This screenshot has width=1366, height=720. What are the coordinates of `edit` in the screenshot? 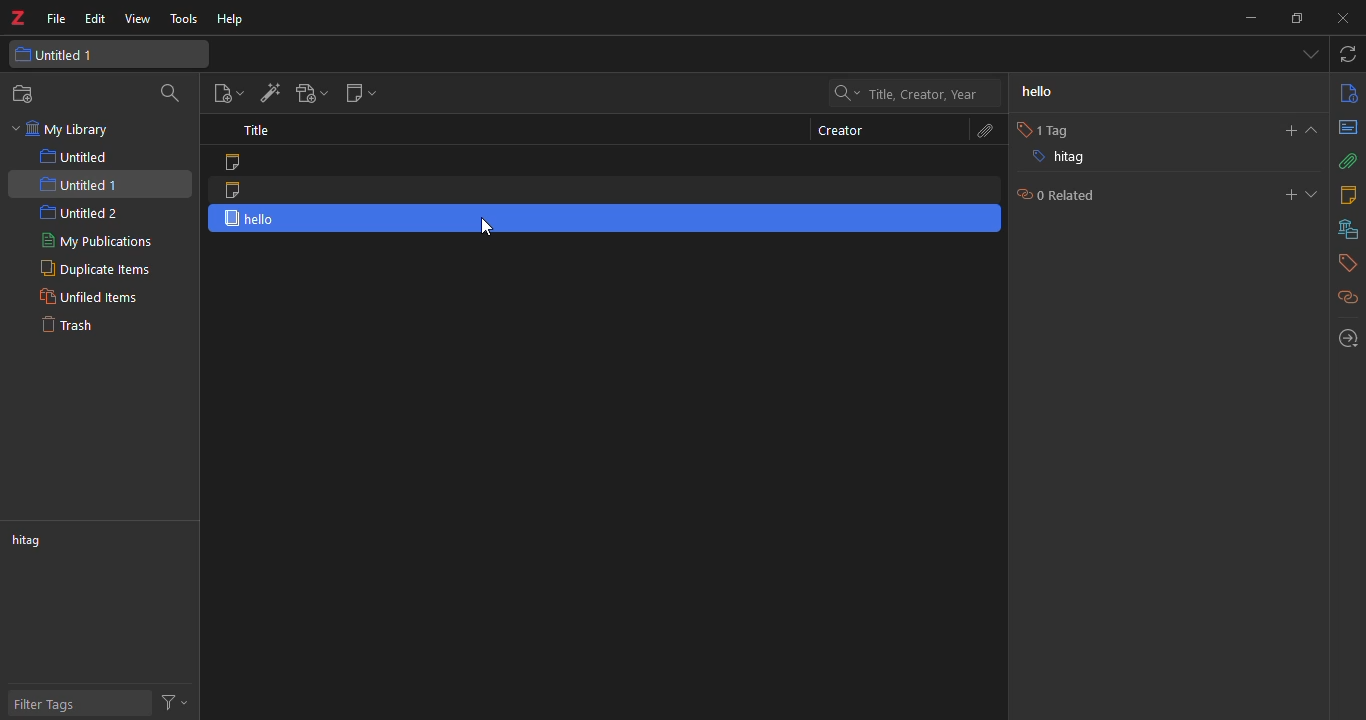 It's located at (94, 20).